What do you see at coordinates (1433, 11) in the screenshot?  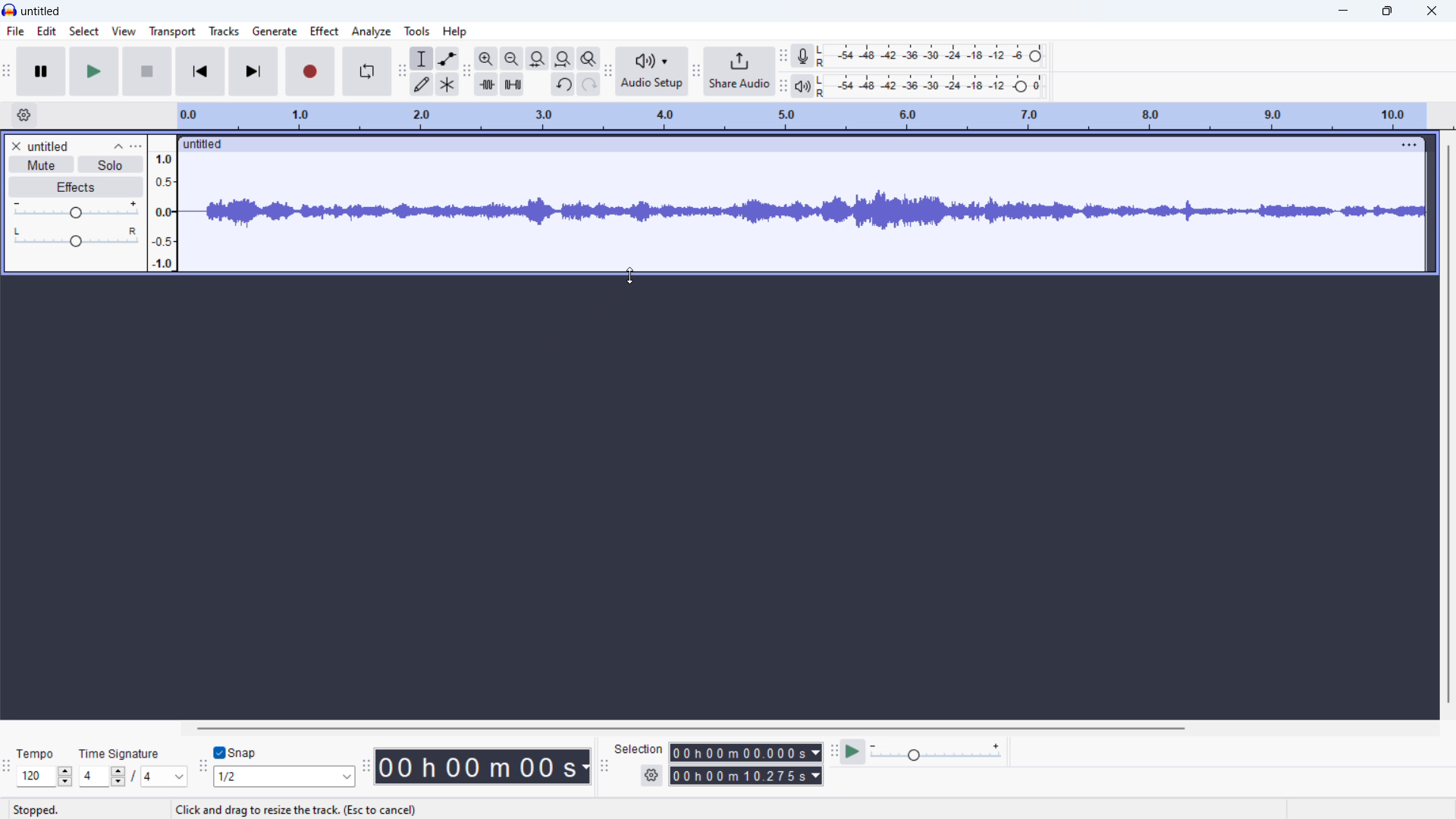 I see `close` at bounding box center [1433, 11].